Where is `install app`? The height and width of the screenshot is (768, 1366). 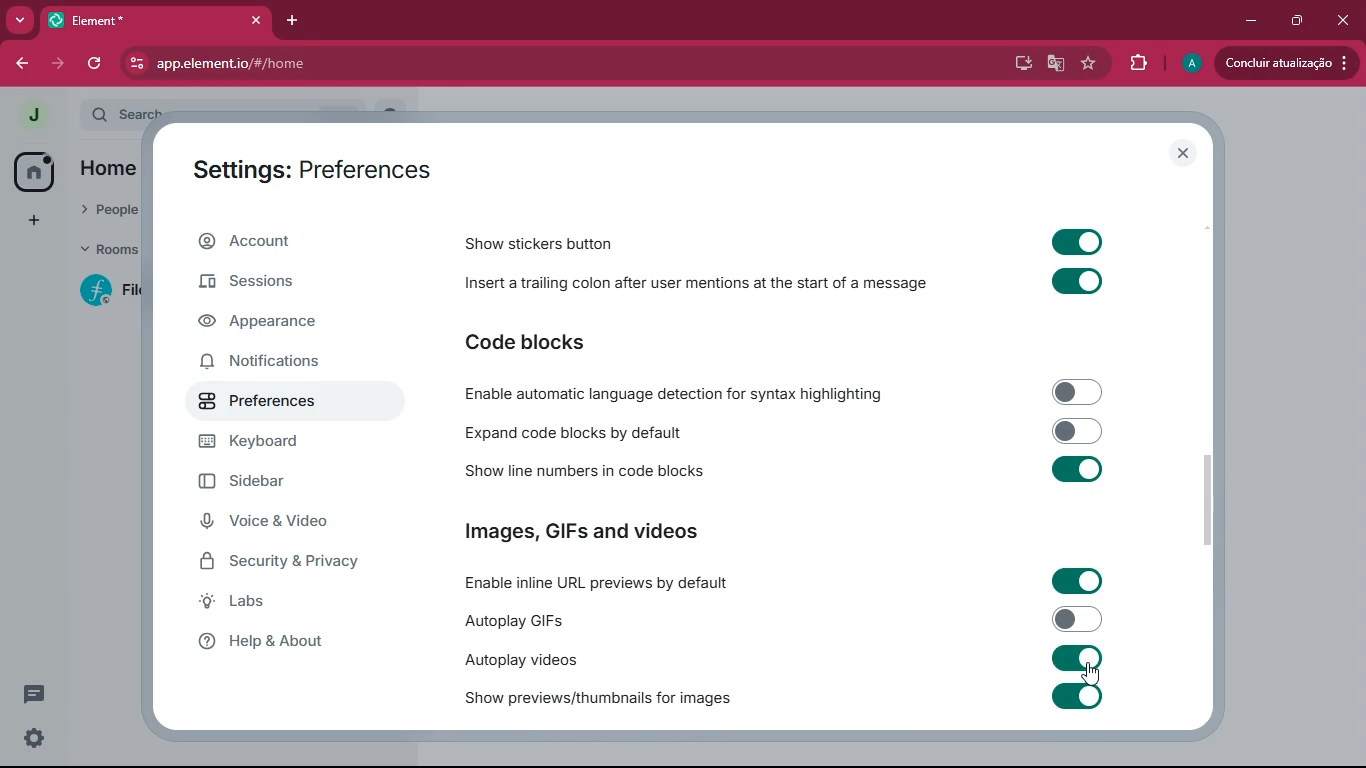 install app is located at coordinates (1016, 61).